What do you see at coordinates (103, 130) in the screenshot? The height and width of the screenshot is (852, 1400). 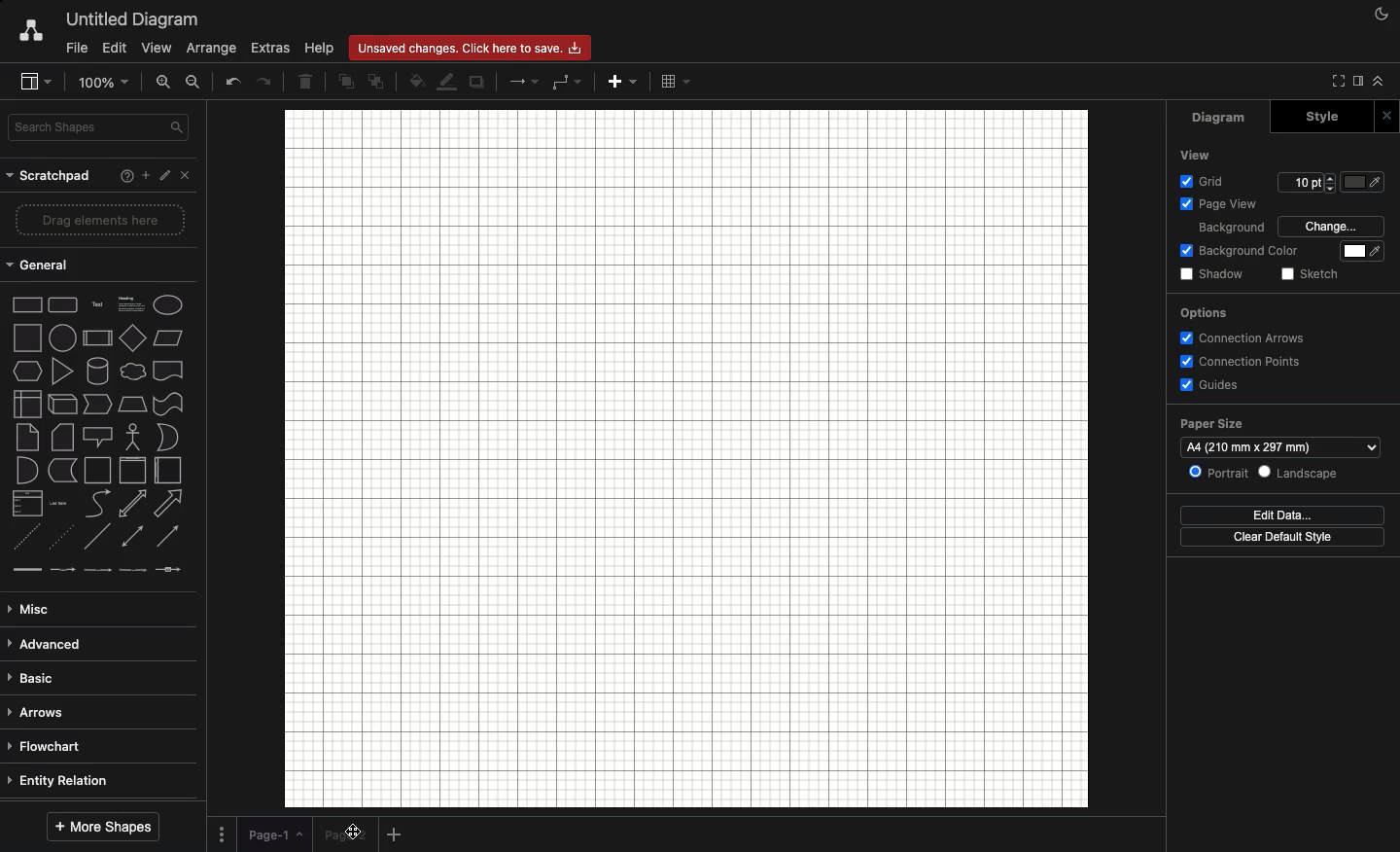 I see `Search shapes` at bounding box center [103, 130].